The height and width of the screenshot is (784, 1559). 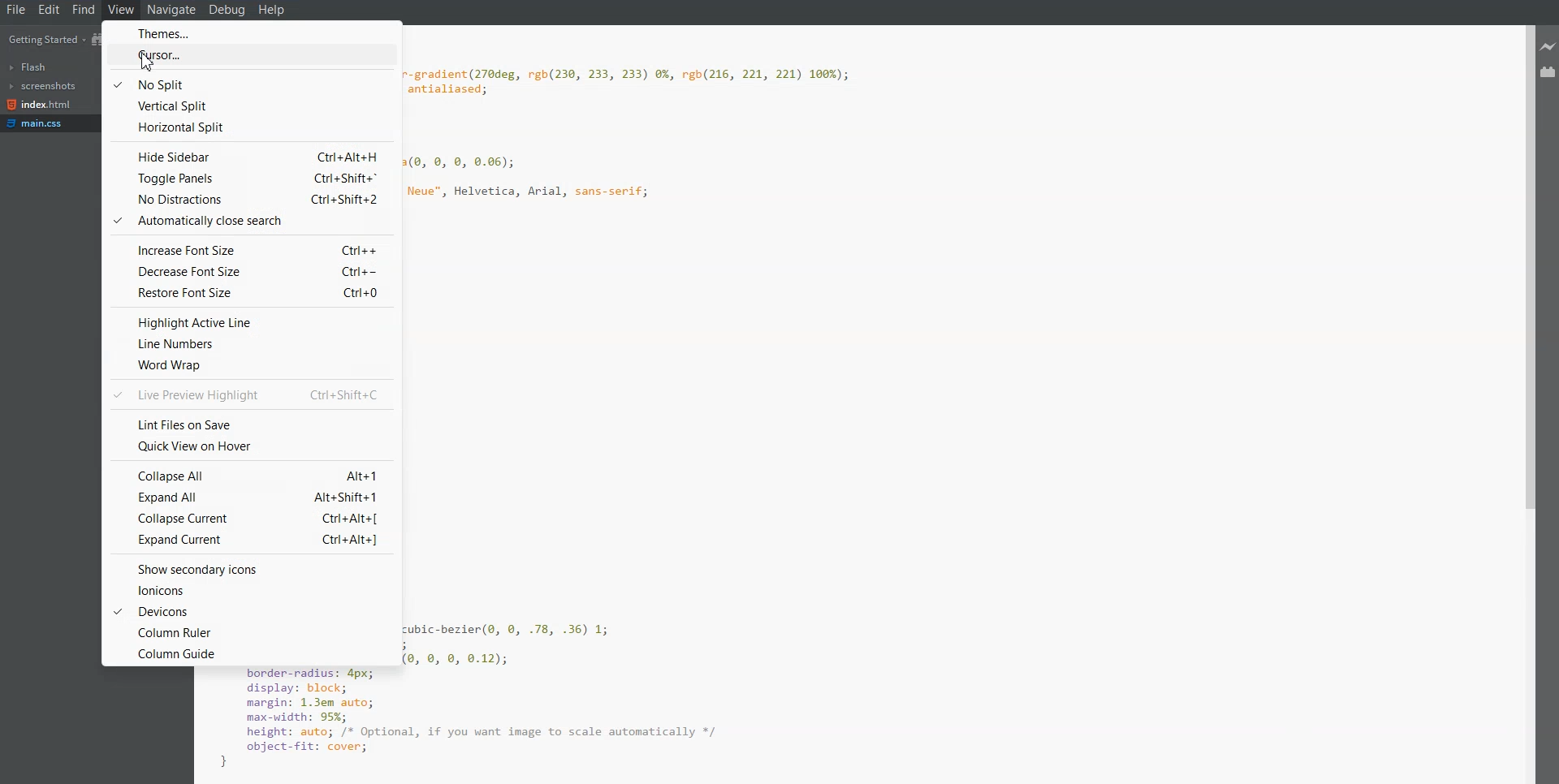 What do you see at coordinates (250, 474) in the screenshot?
I see `Collapse All` at bounding box center [250, 474].